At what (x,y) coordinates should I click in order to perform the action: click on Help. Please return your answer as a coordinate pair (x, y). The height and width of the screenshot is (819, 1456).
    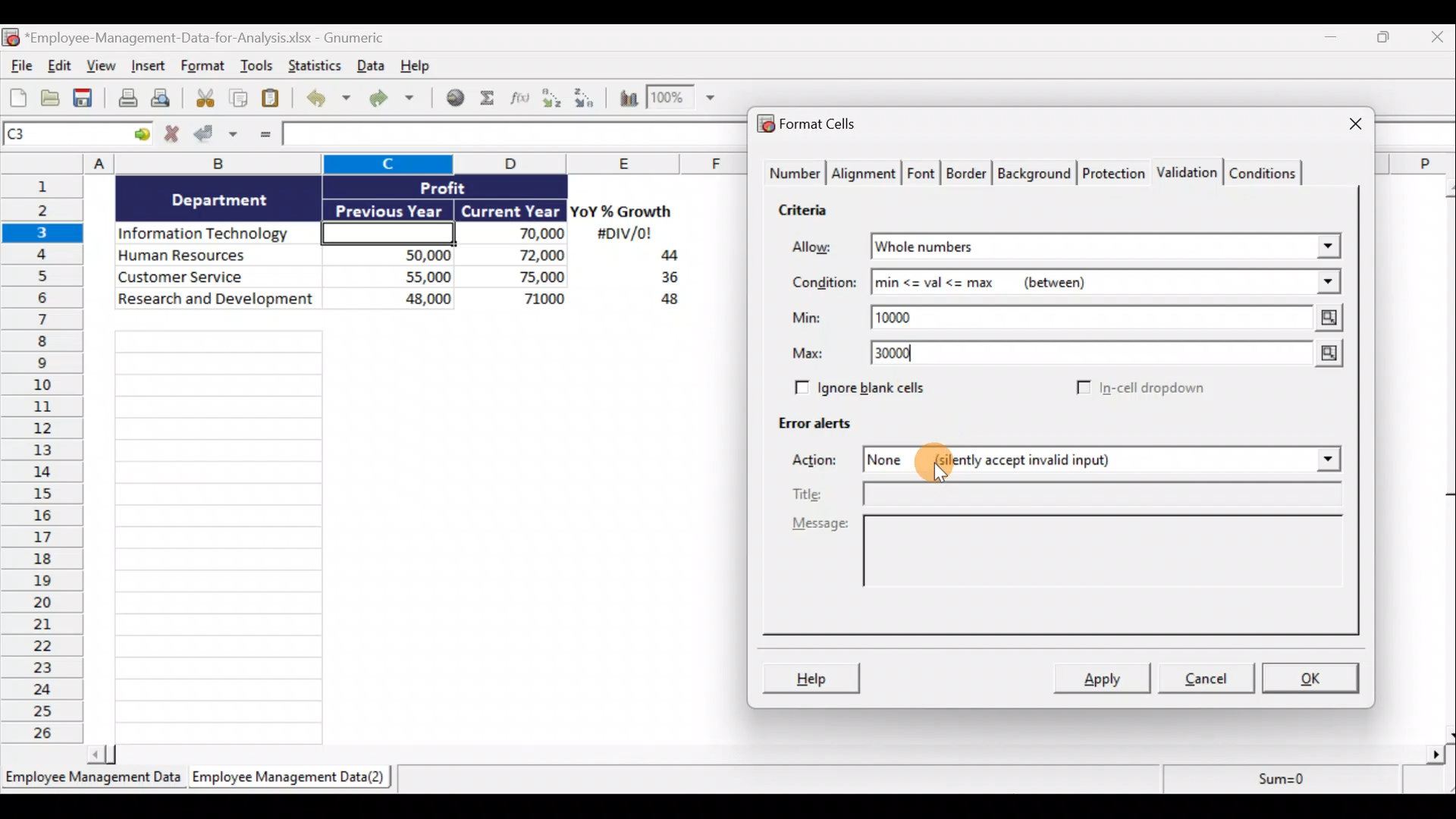
    Looking at the image, I should click on (814, 676).